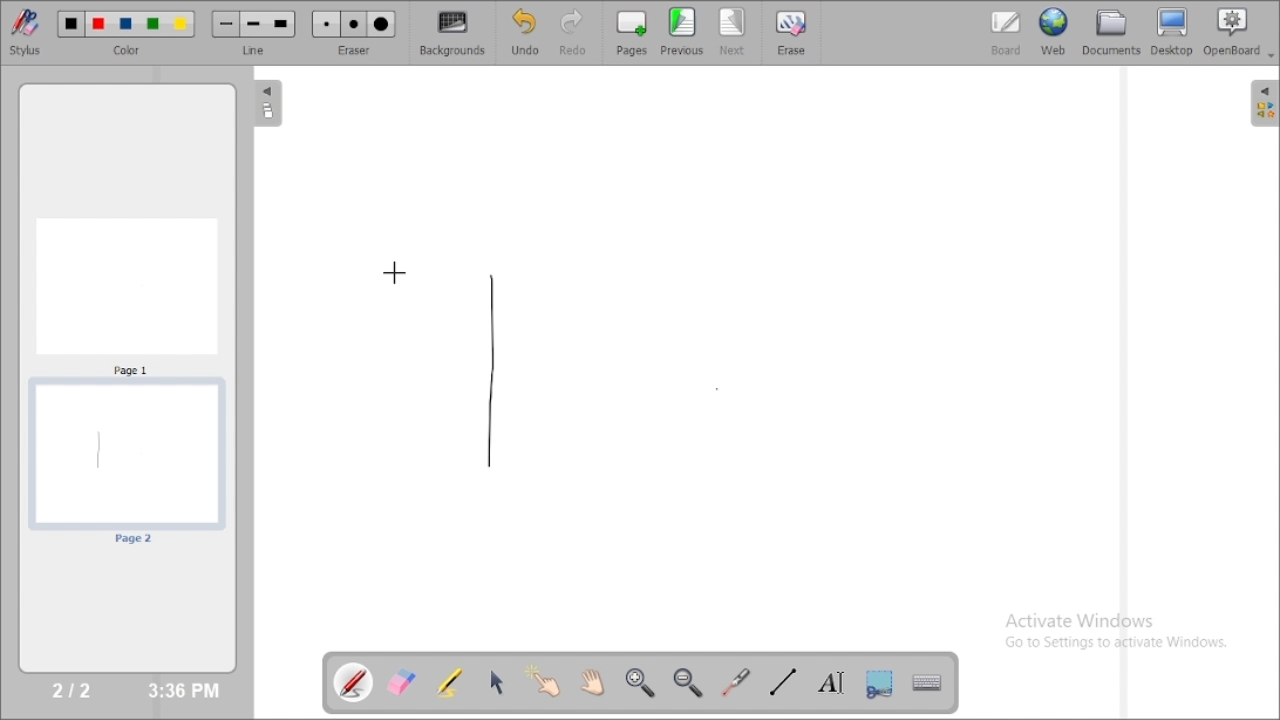 Image resolution: width=1280 pixels, height=720 pixels. I want to click on 3:36 PM, so click(182, 691).